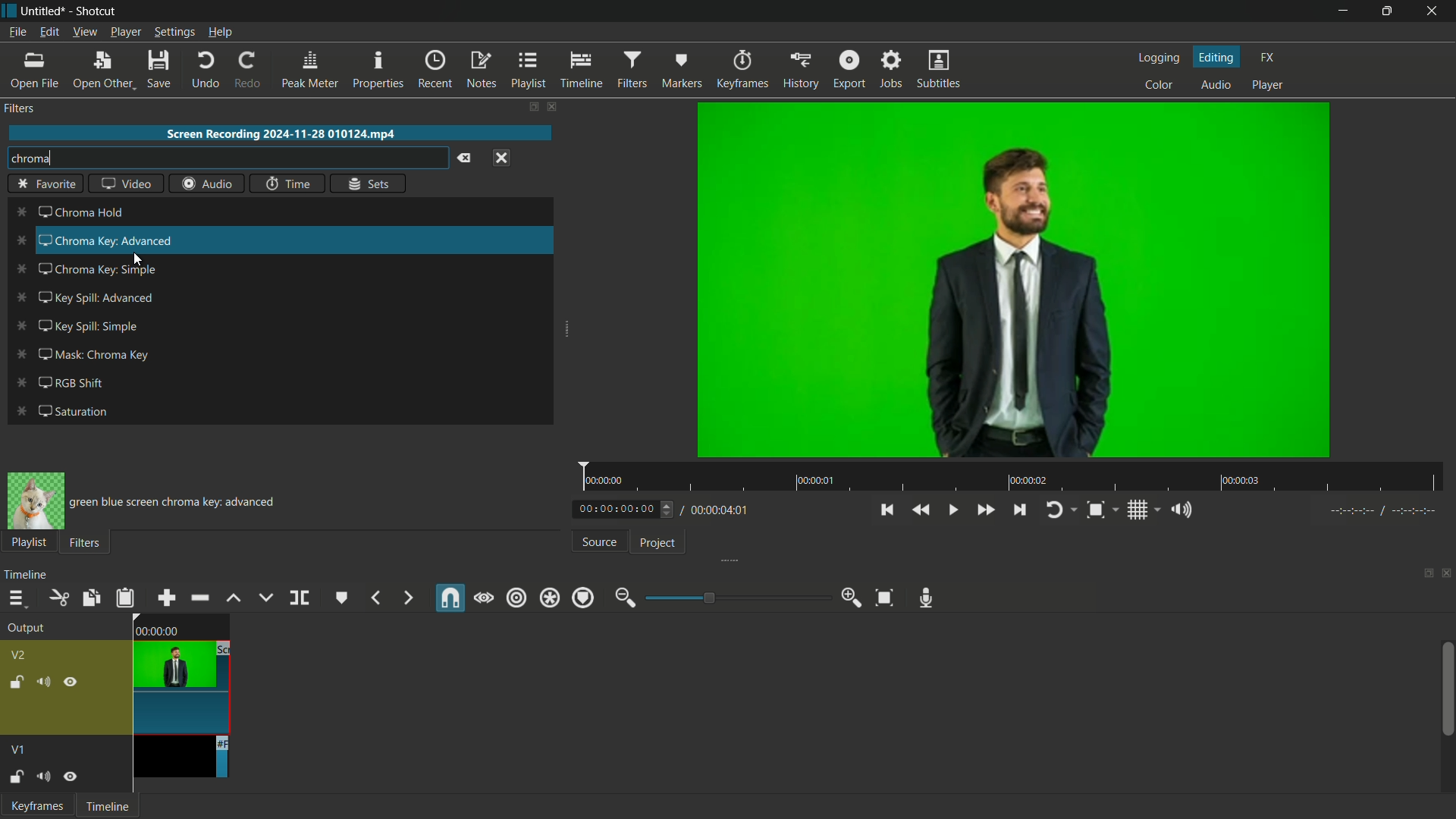 The height and width of the screenshot is (819, 1456). Describe the element at coordinates (736, 597) in the screenshot. I see `adjustment bar` at that location.